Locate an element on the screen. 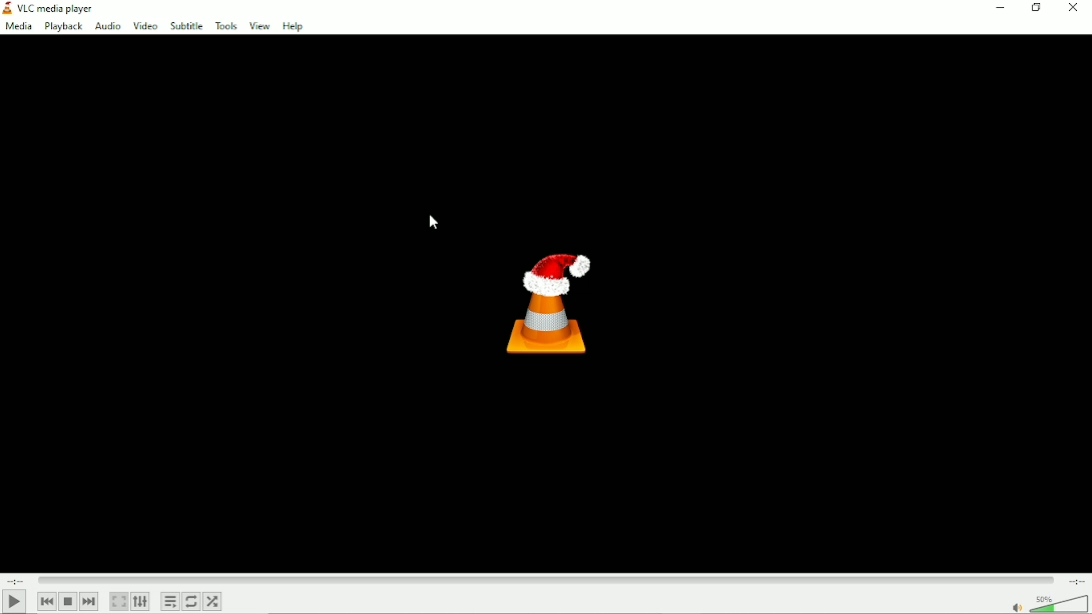  Random is located at coordinates (212, 601).